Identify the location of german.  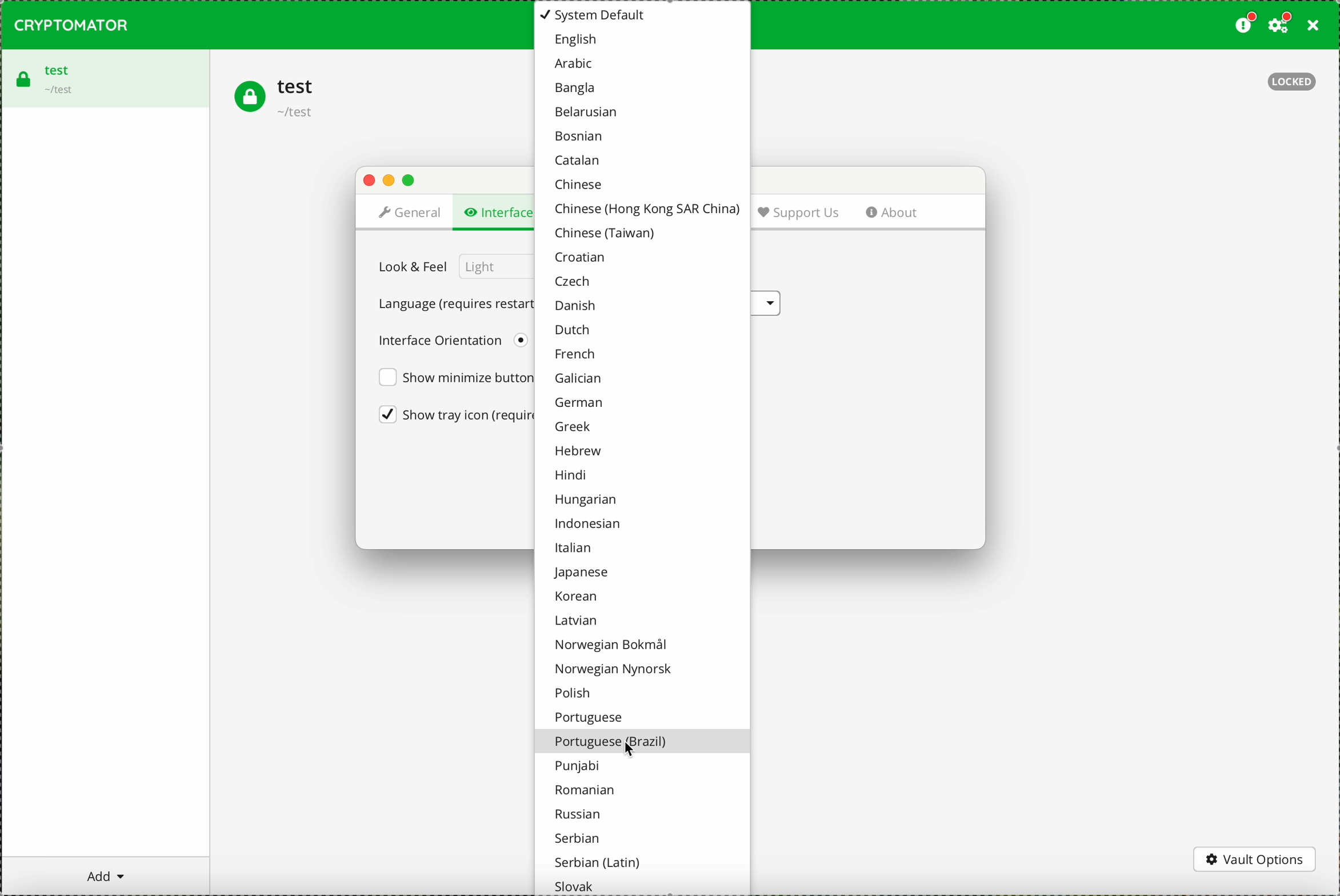
(578, 402).